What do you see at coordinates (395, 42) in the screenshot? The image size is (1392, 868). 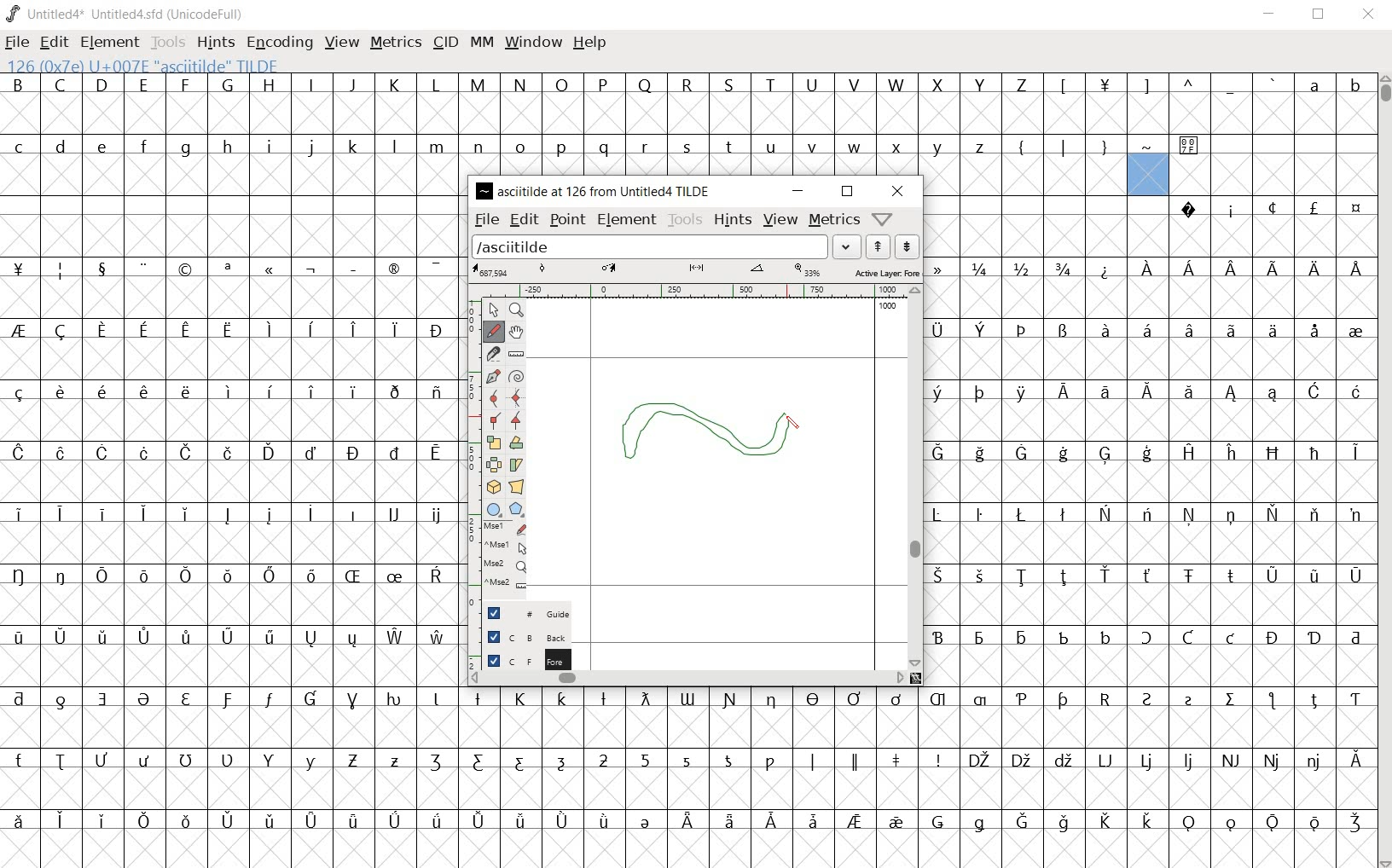 I see `METRICS` at bounding box center [395, 42].